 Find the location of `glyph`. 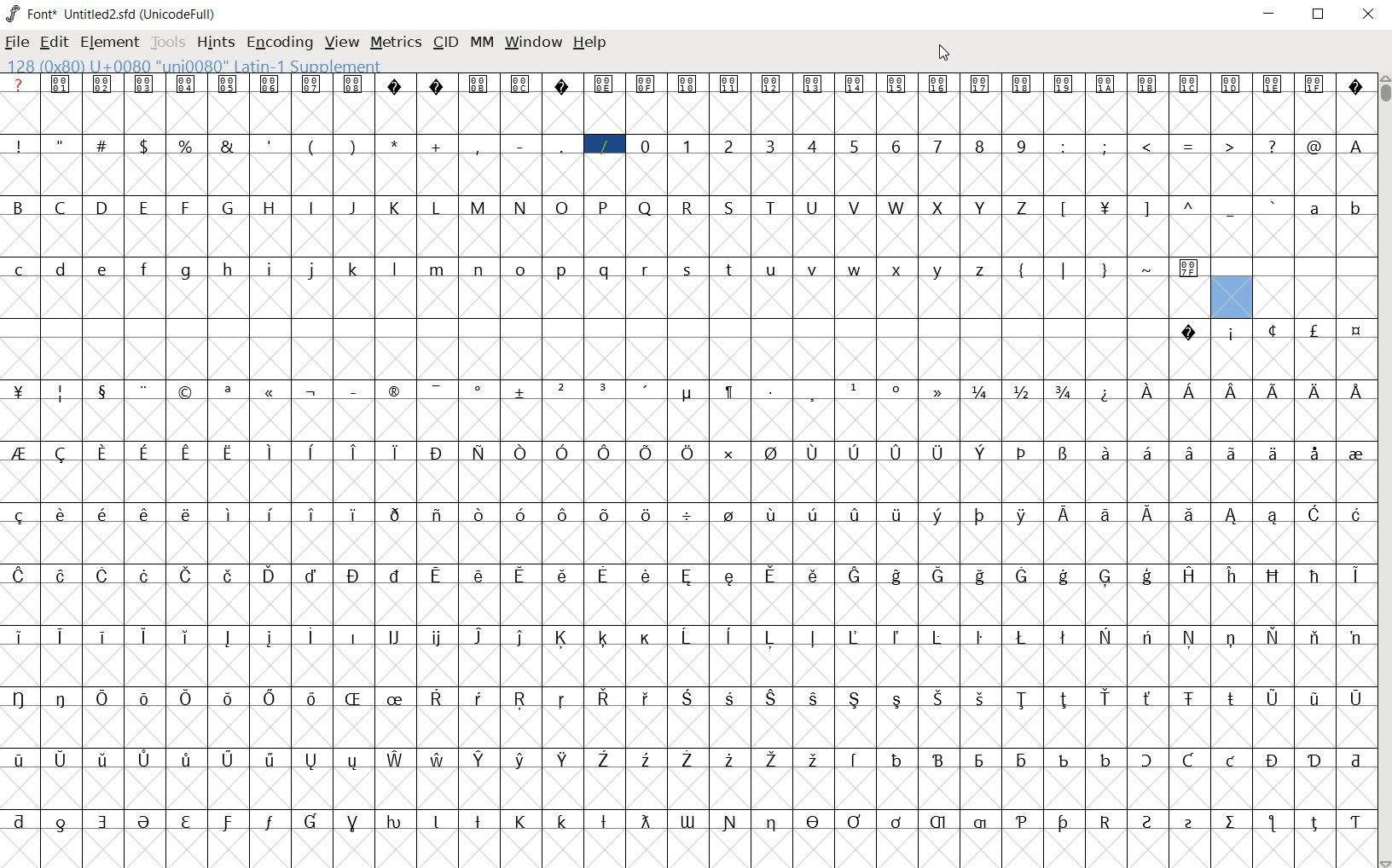

glyph is located at coordinates (228, 759).